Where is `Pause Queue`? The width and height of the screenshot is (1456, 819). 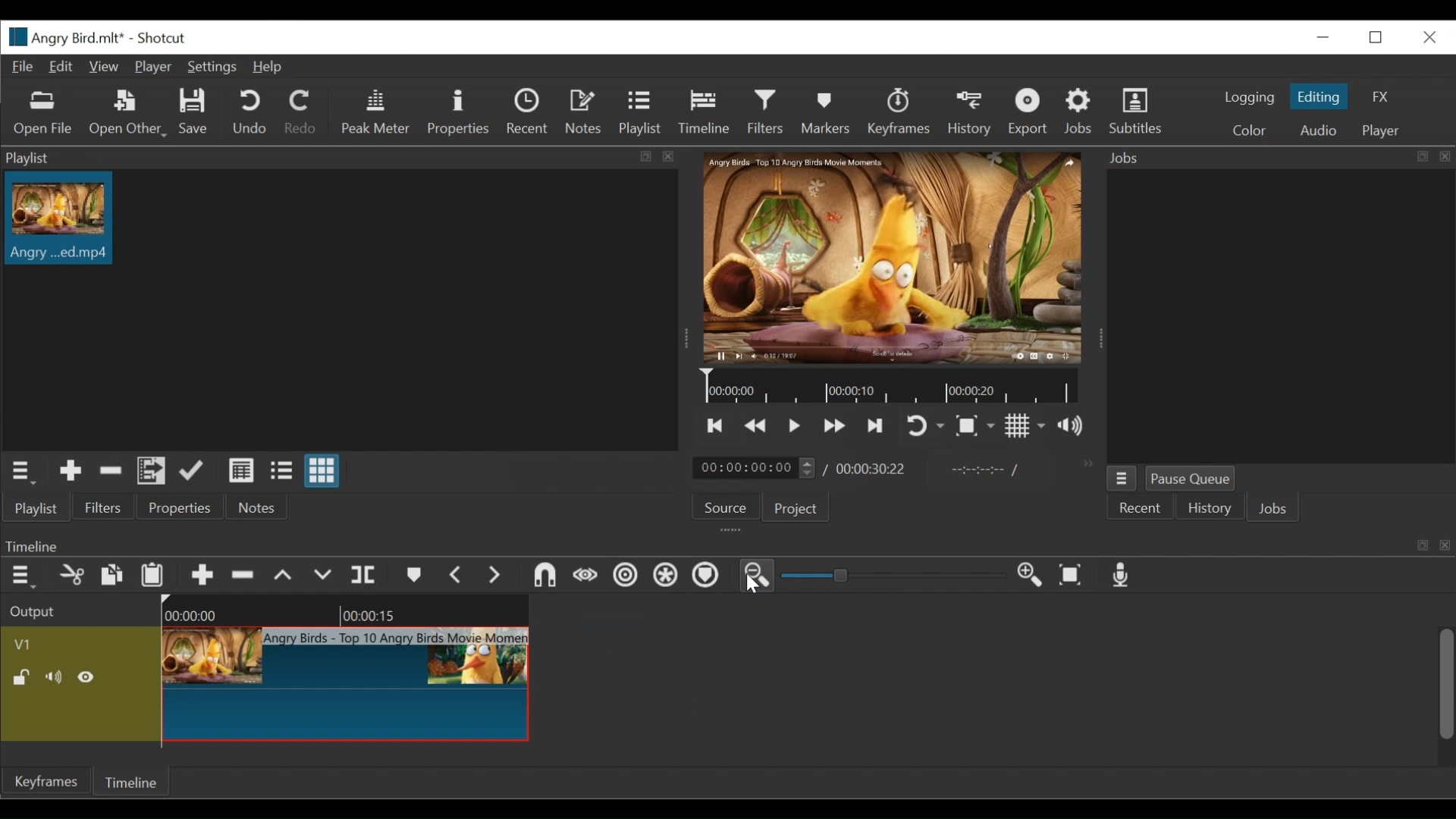 Pause Queue is located at coordinates (1189, 478).